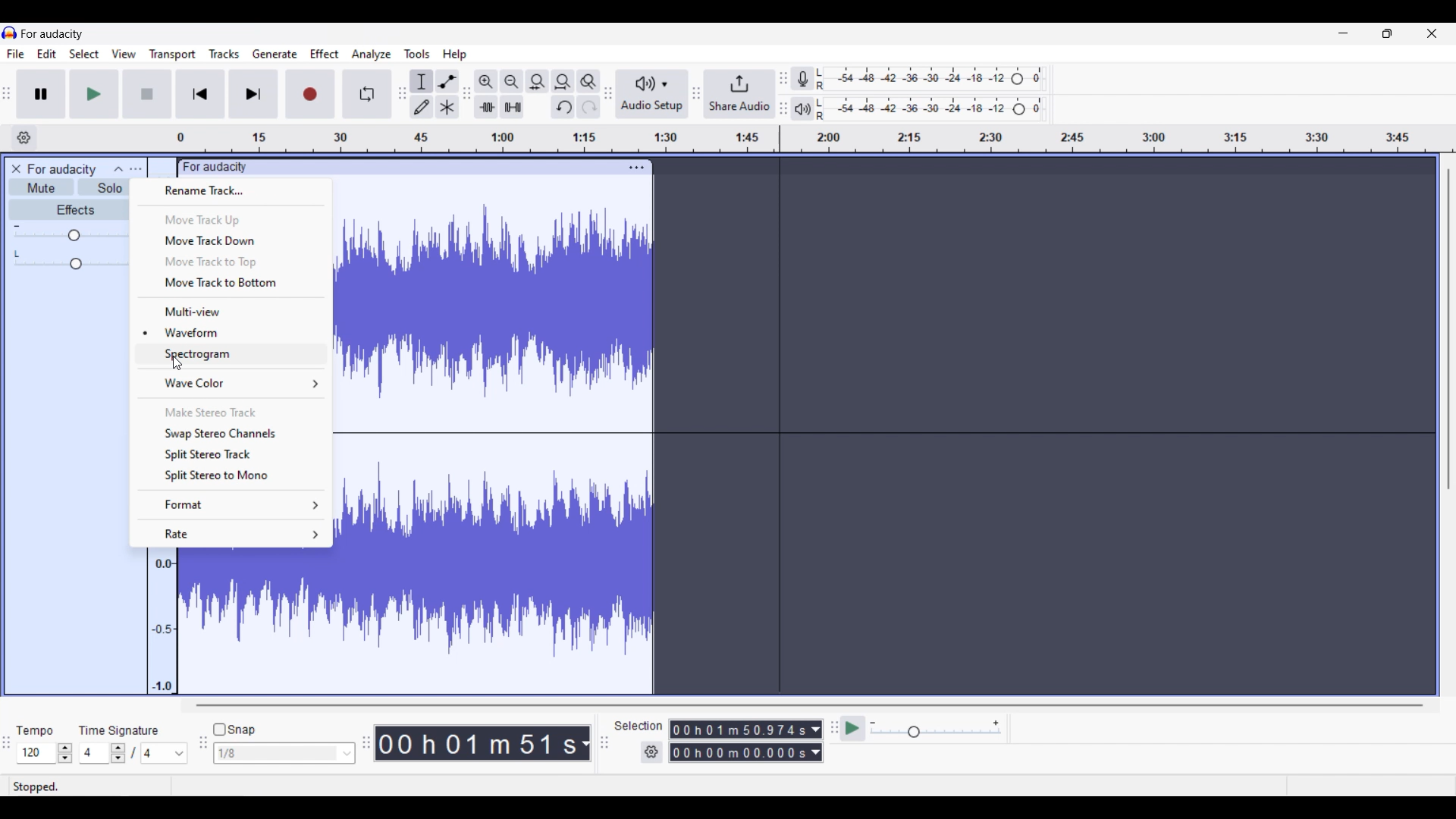 The height and width of the screenshot is (819, 1456). What do you see at coordinates (231, 383) in the screenshot?
I see `Wave color options` at bounding box center [231, 383].